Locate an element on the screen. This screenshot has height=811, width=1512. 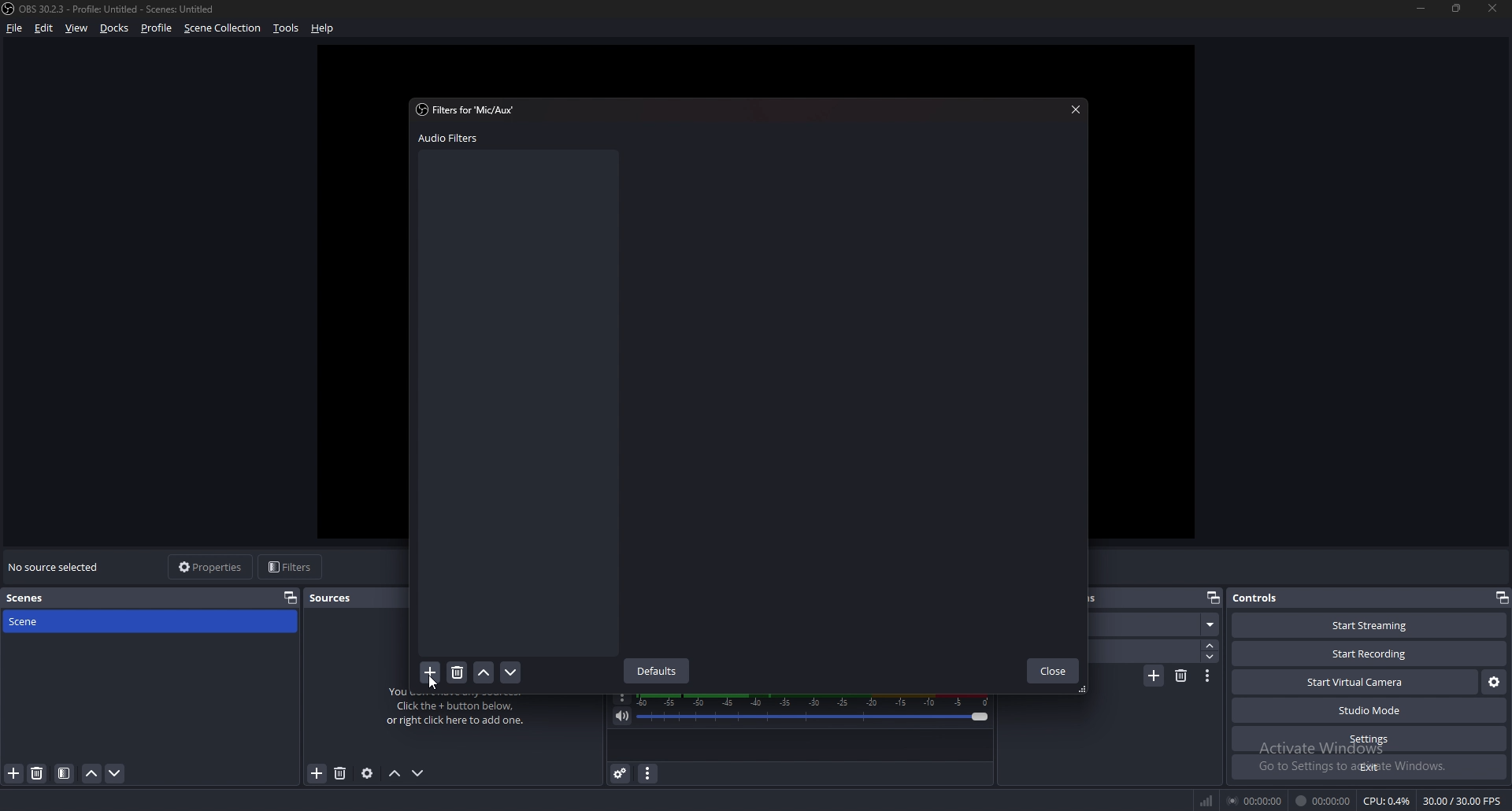
scene is located at coordinates (1156, 624).